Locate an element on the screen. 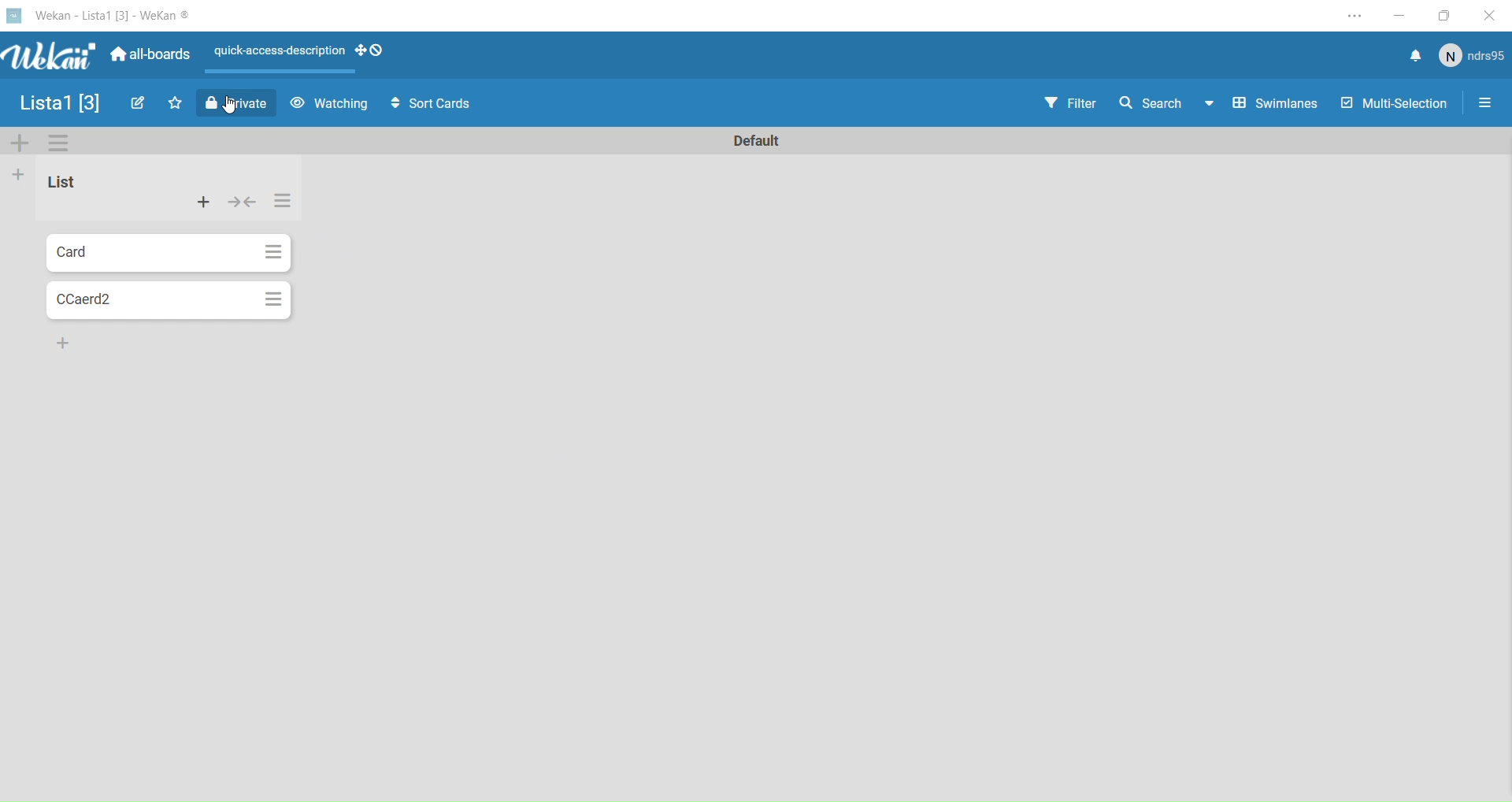 This screenshot has width=1512, height=802. Options is located at coordinates (272, 251).